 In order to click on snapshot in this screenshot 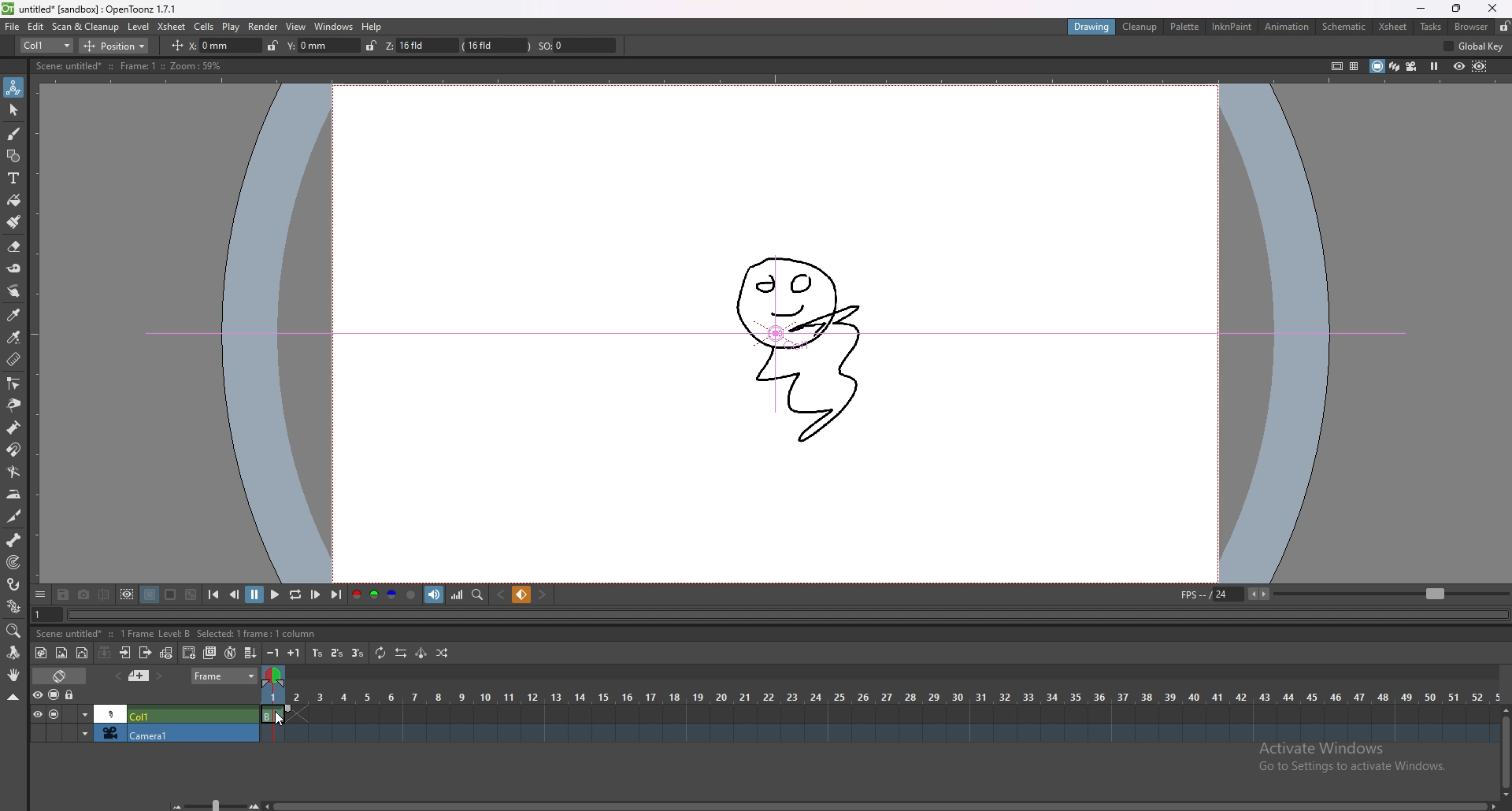, I will do `click(84, 594)`.